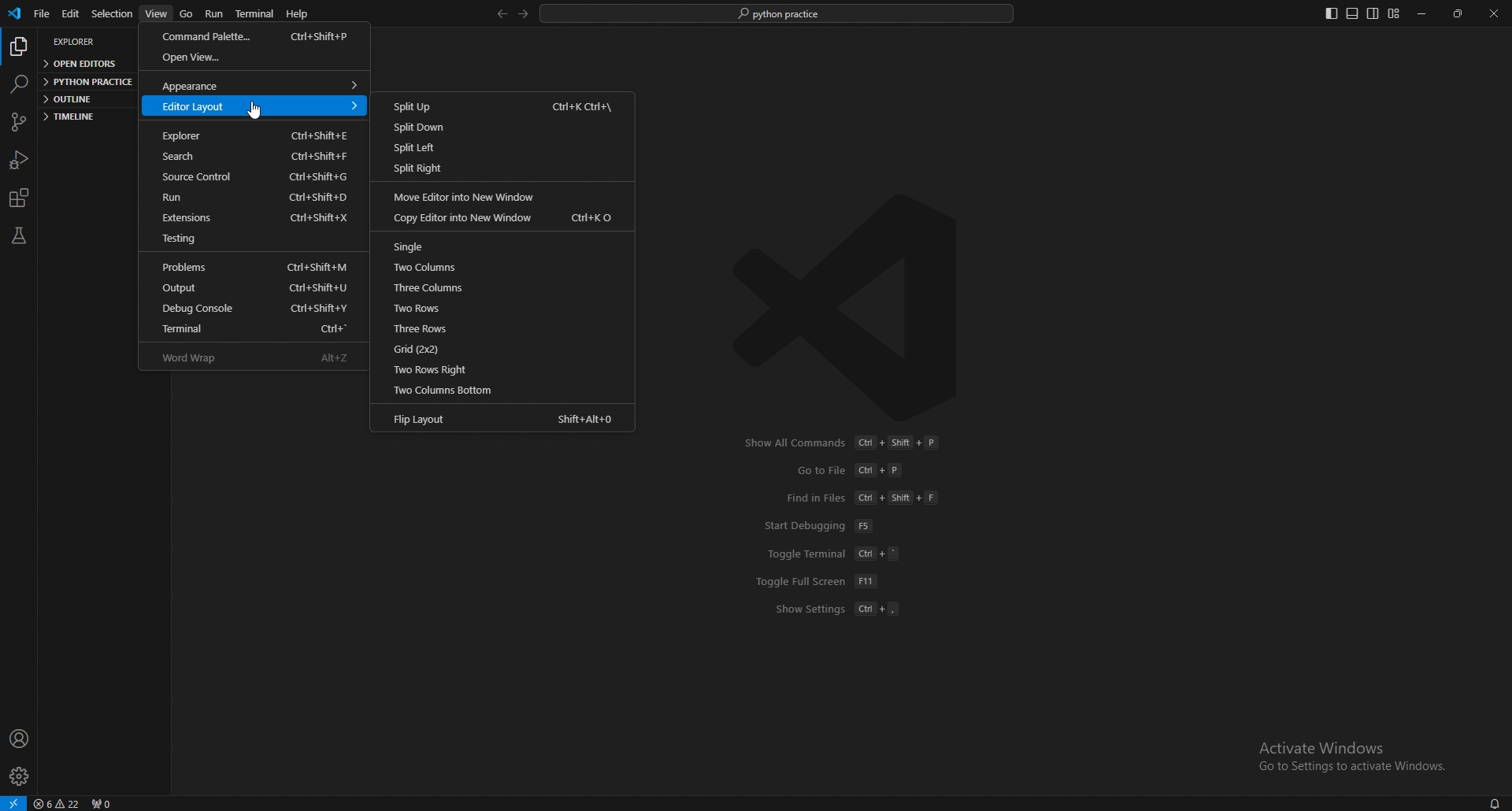 The width and height of the screenshot is (1512, 811). I want to click on run ctrl+shift+d, so click(250, 198).